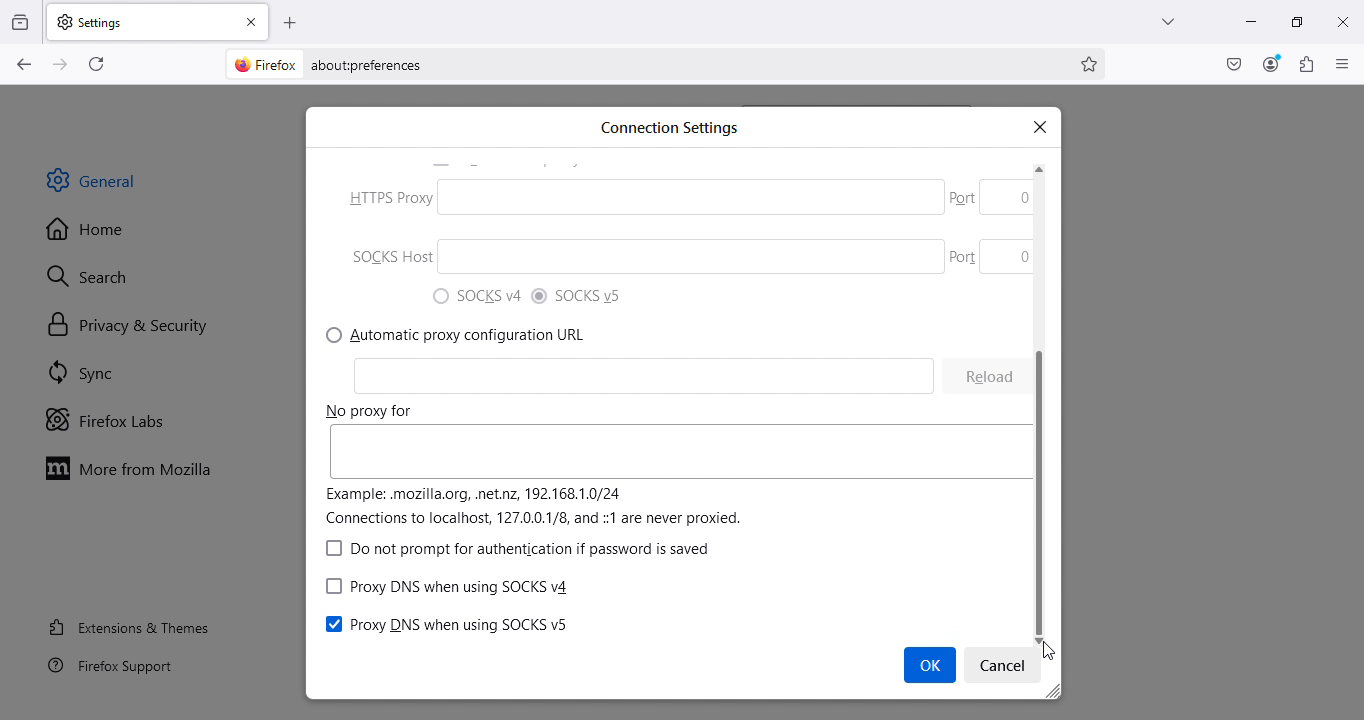 This screenshot has height=720, width=1364. What do you see at coordinates (126, 325) in the screenshot?
I see `Privacy and security` at bounding box center [126, 325].